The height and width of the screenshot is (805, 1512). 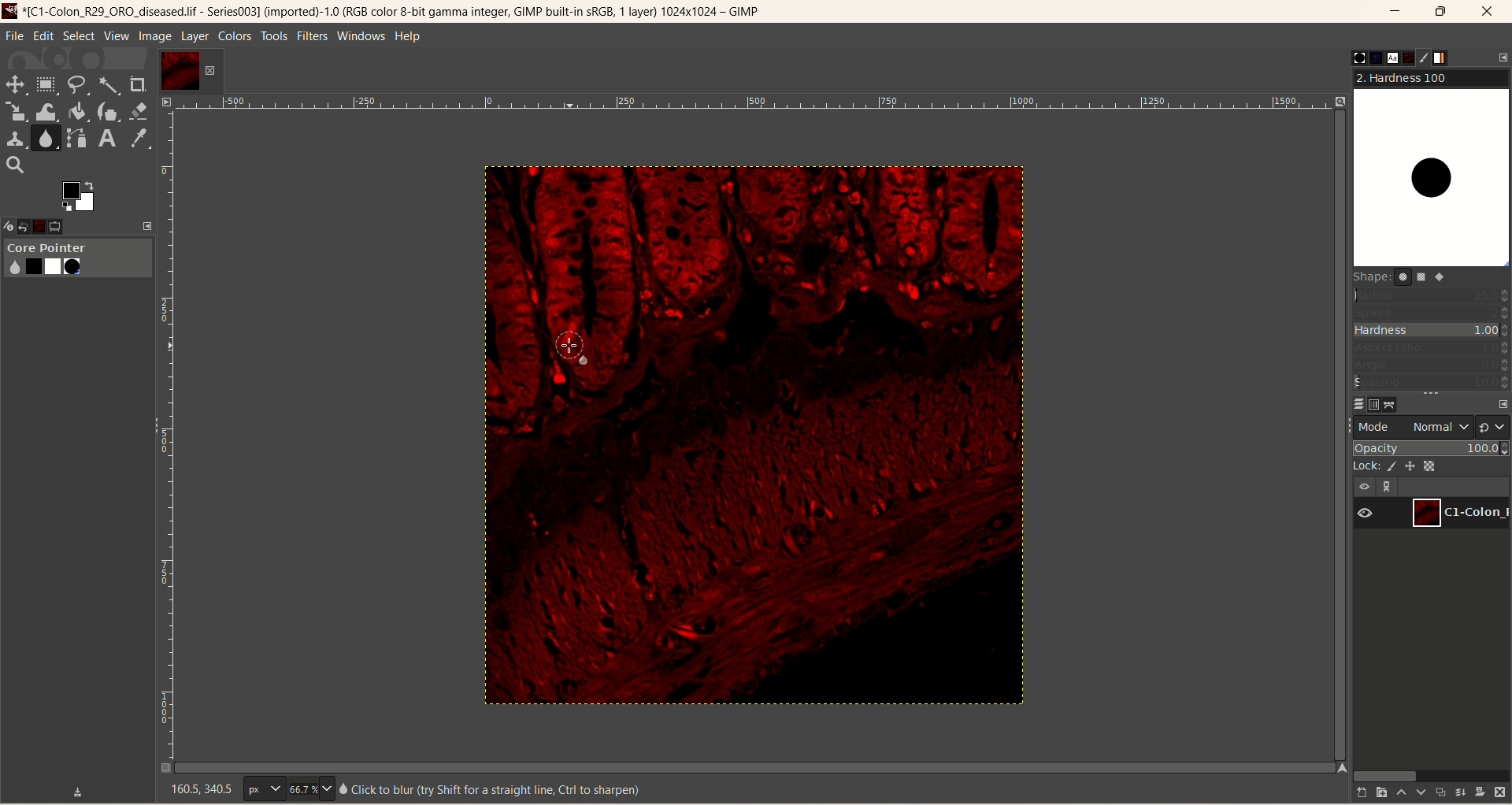 What do you see at coordinates (1501, 792) in the screenshot?
I see `delete this layer` at bounding box center [1501, 792].